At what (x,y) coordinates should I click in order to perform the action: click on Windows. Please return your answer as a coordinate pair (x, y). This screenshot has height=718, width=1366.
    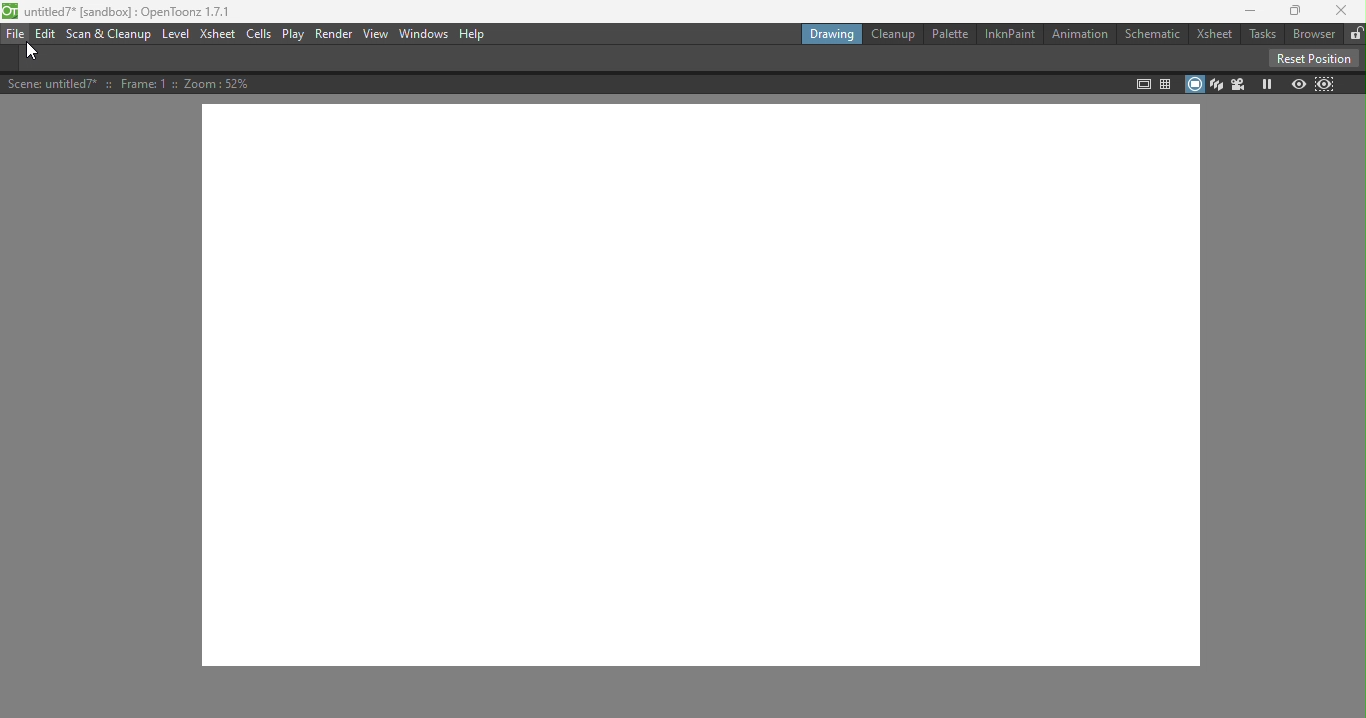
    Looking at the image, I should click on (422, 34).